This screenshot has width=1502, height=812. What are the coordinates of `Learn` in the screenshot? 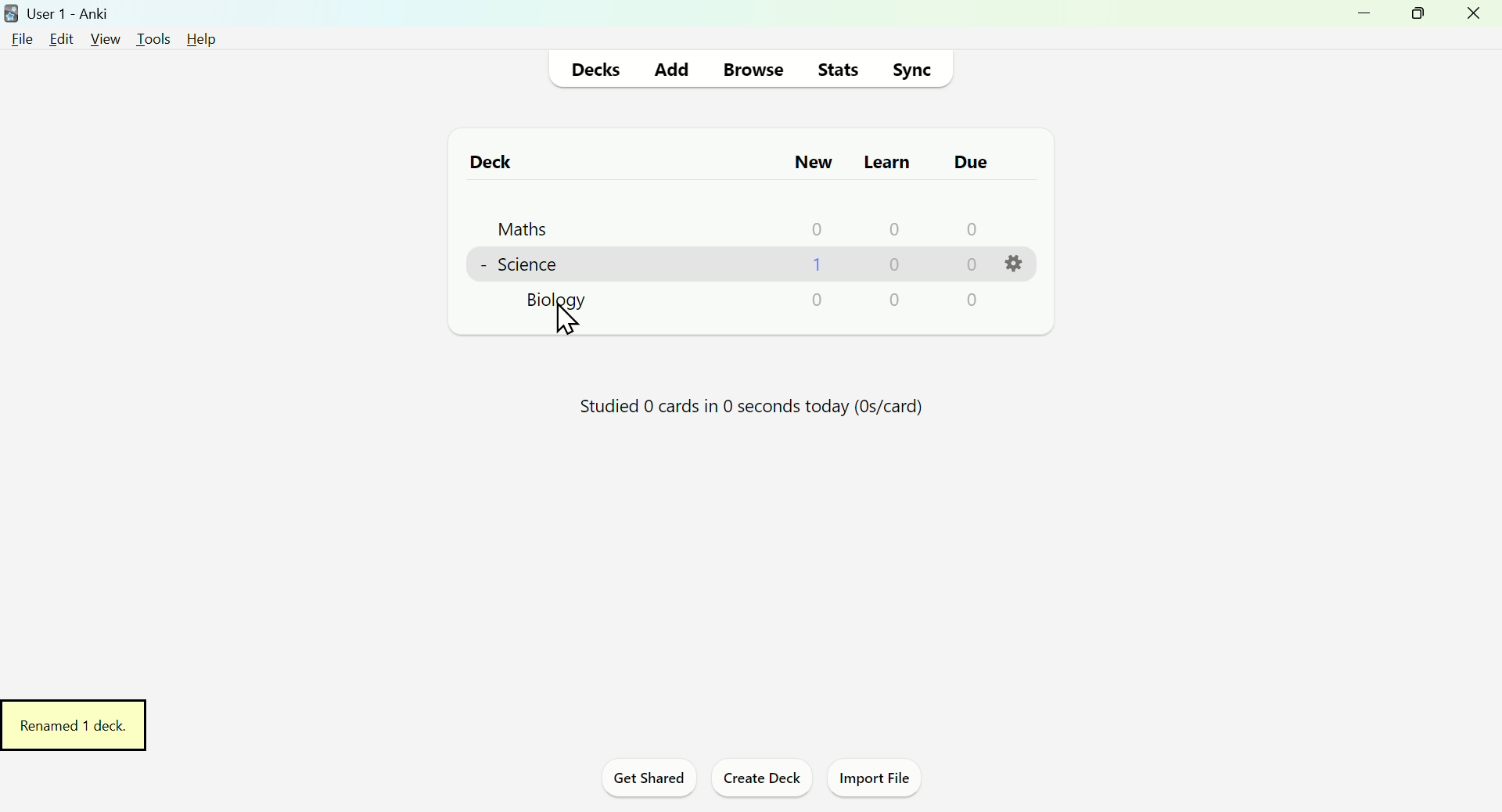 It's located at (886, 158).